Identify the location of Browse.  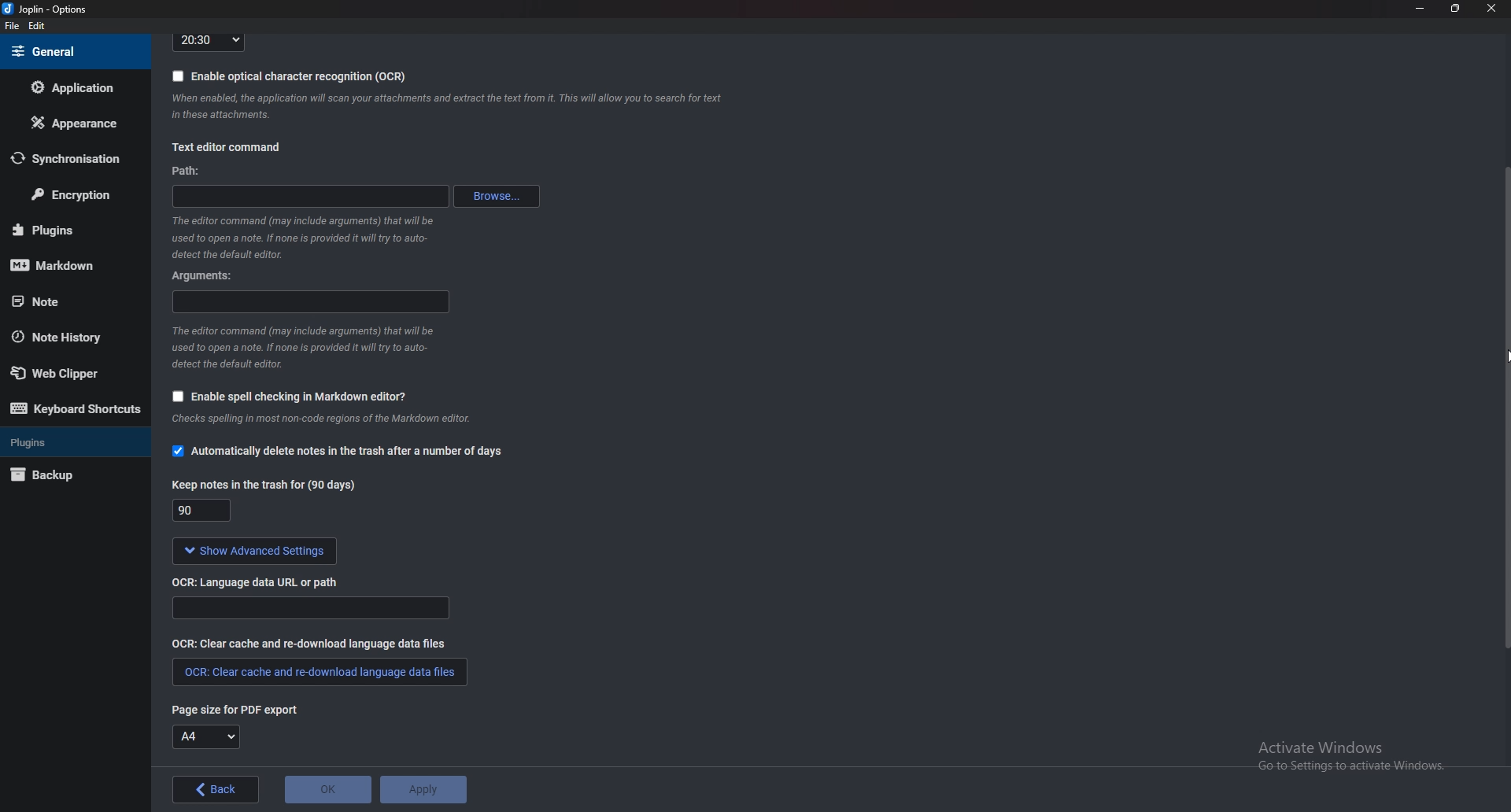
(499, 196).